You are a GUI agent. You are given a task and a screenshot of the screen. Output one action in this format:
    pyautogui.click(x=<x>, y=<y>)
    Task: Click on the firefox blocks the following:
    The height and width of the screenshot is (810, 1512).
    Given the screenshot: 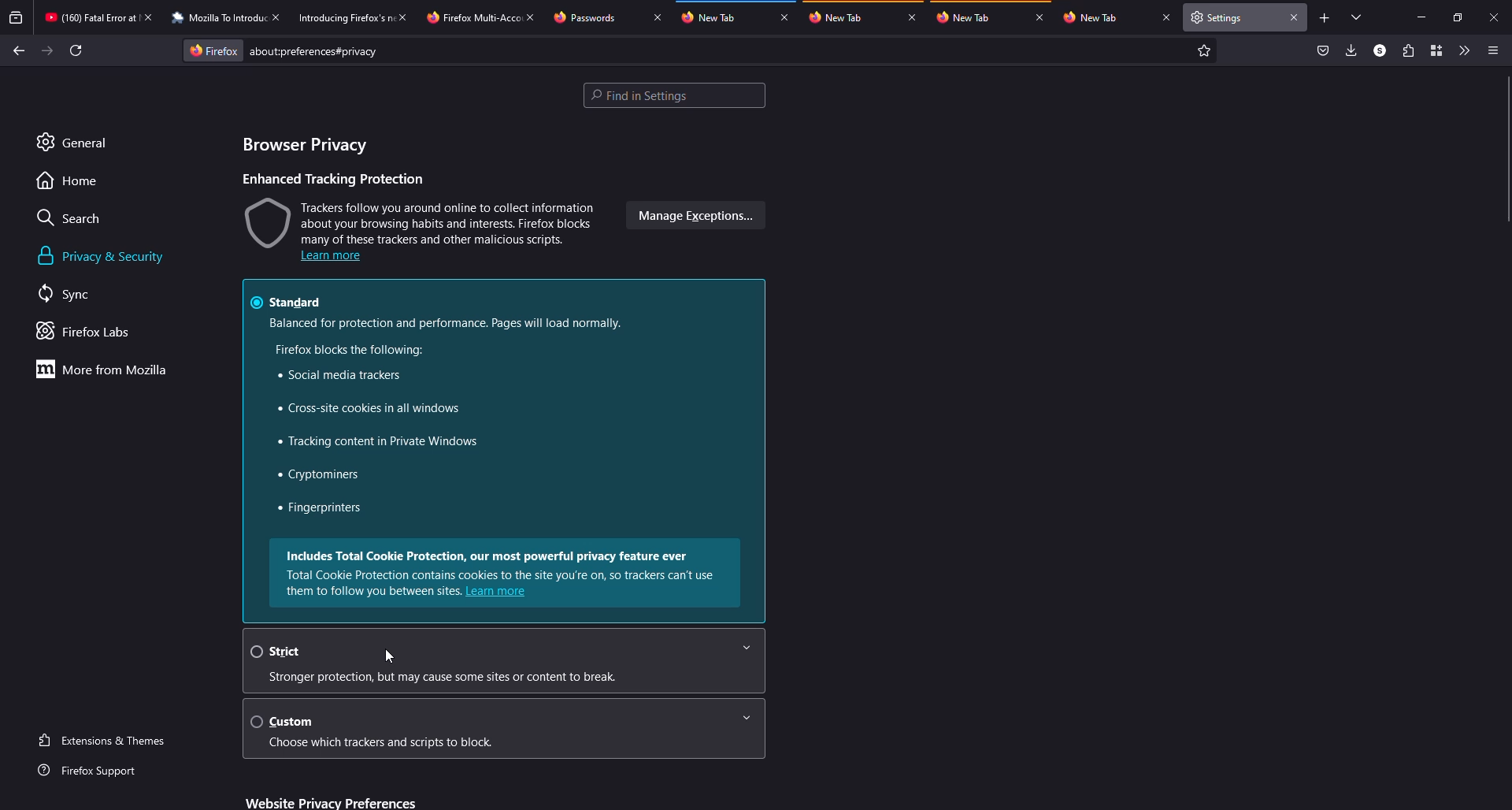 What is the action you would take?
    pyautogui.click(x=350, y=350)
    